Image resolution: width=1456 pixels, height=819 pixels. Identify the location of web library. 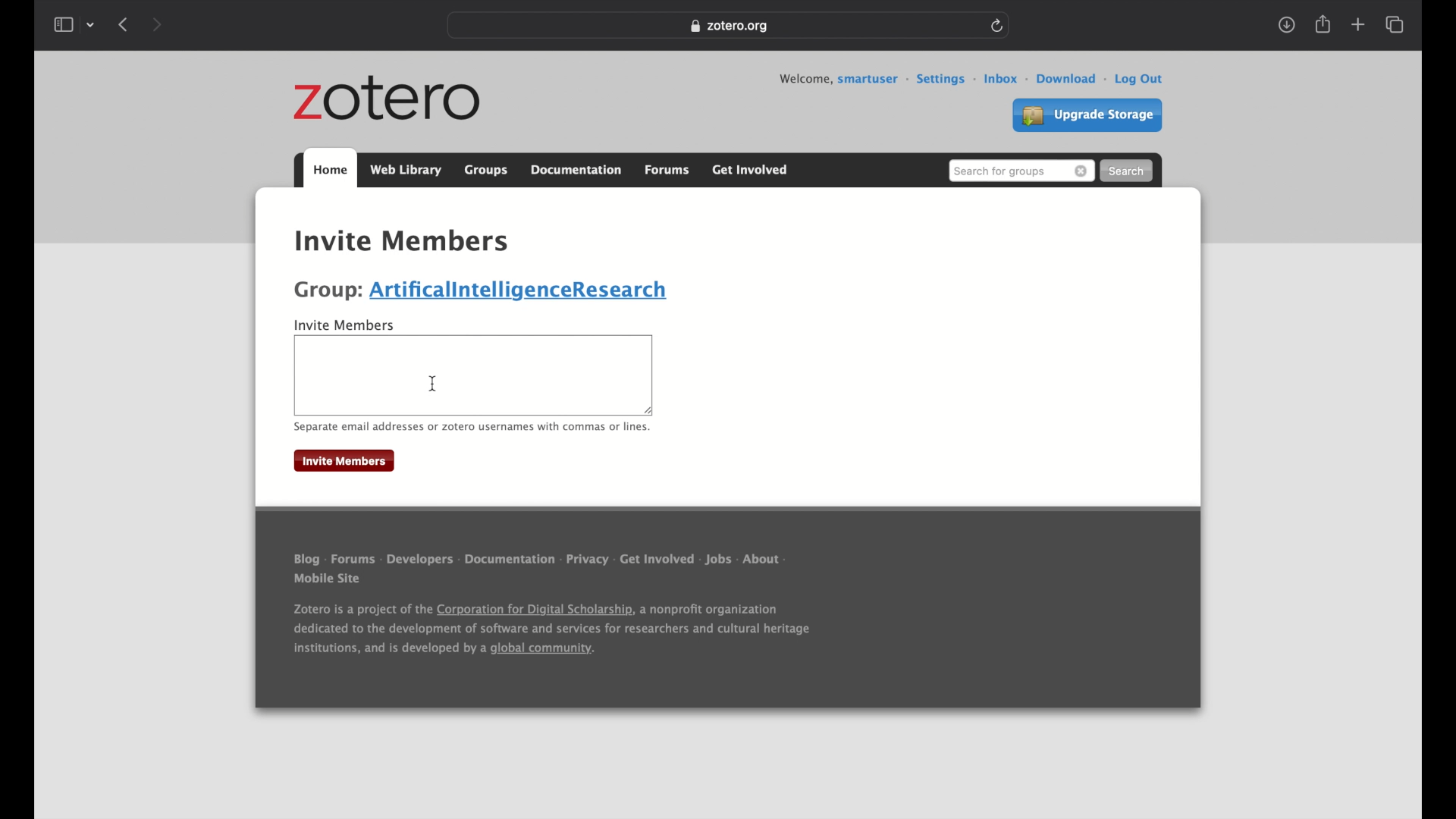
(406, 170).